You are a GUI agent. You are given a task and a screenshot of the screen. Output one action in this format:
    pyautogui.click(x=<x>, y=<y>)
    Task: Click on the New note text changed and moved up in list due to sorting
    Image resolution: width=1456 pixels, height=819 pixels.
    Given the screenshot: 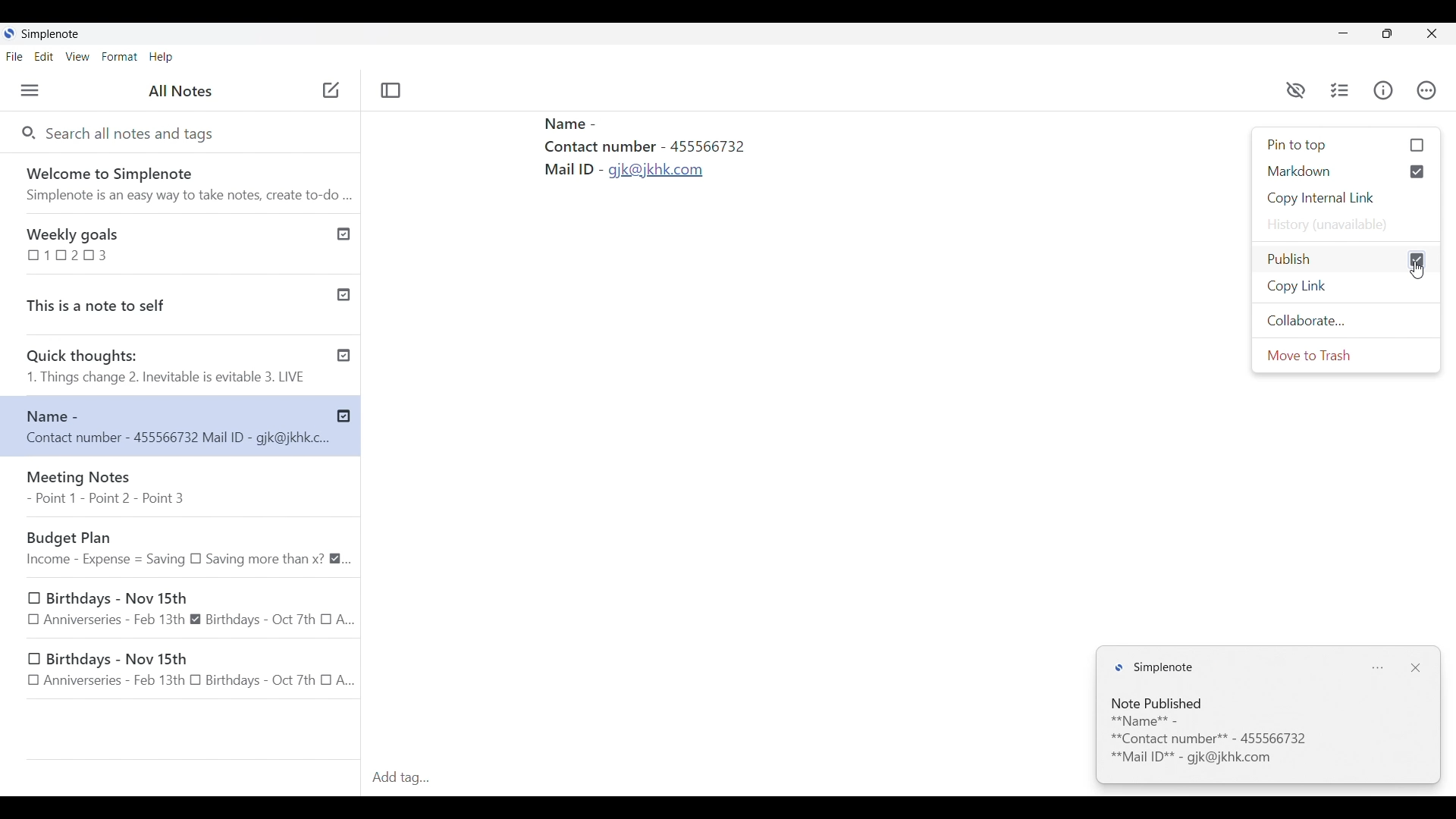 What is the action you would take?
    pyautogui.click(x=165, y=425)
    